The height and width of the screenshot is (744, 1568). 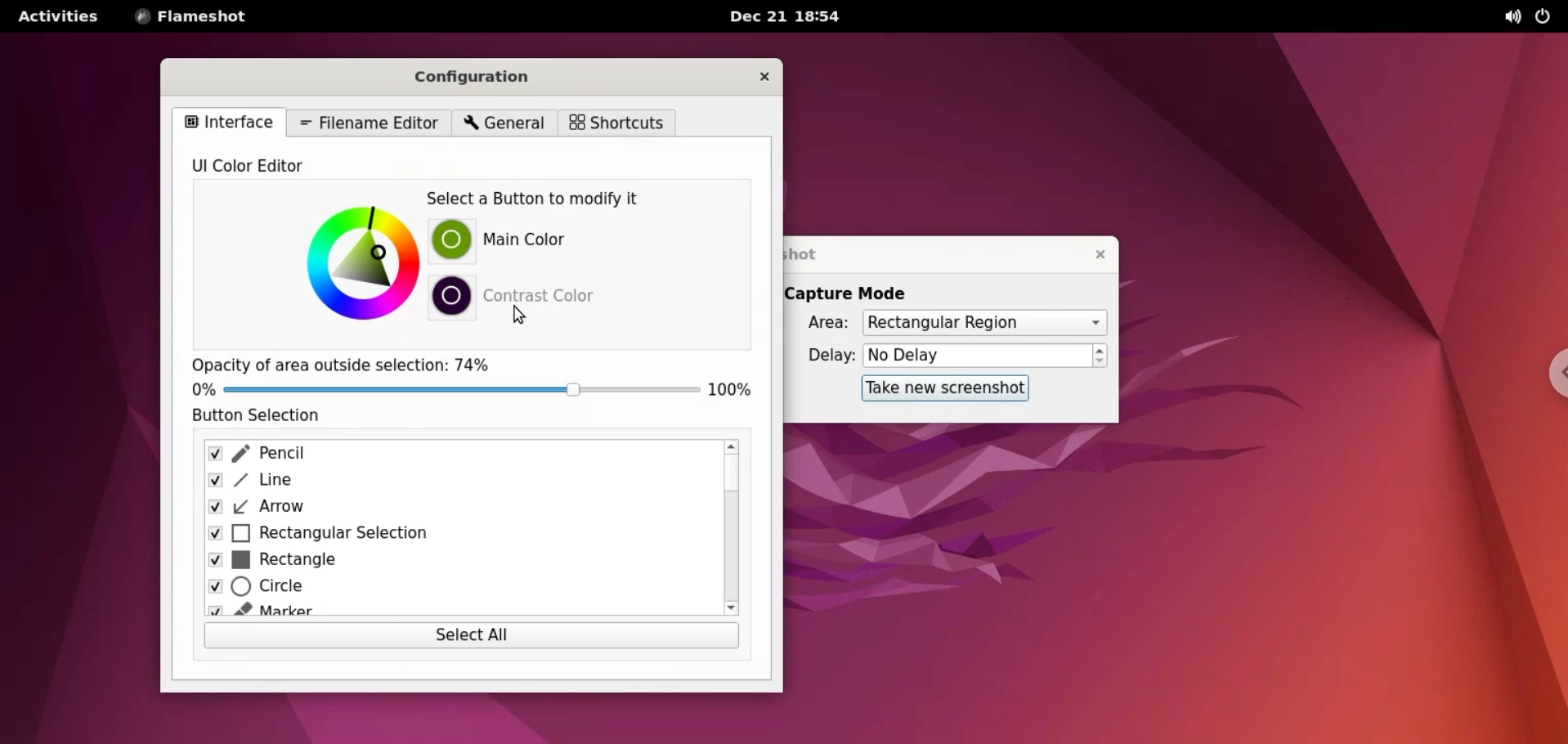 I want to click on 0% , so click(x=204, y=391).